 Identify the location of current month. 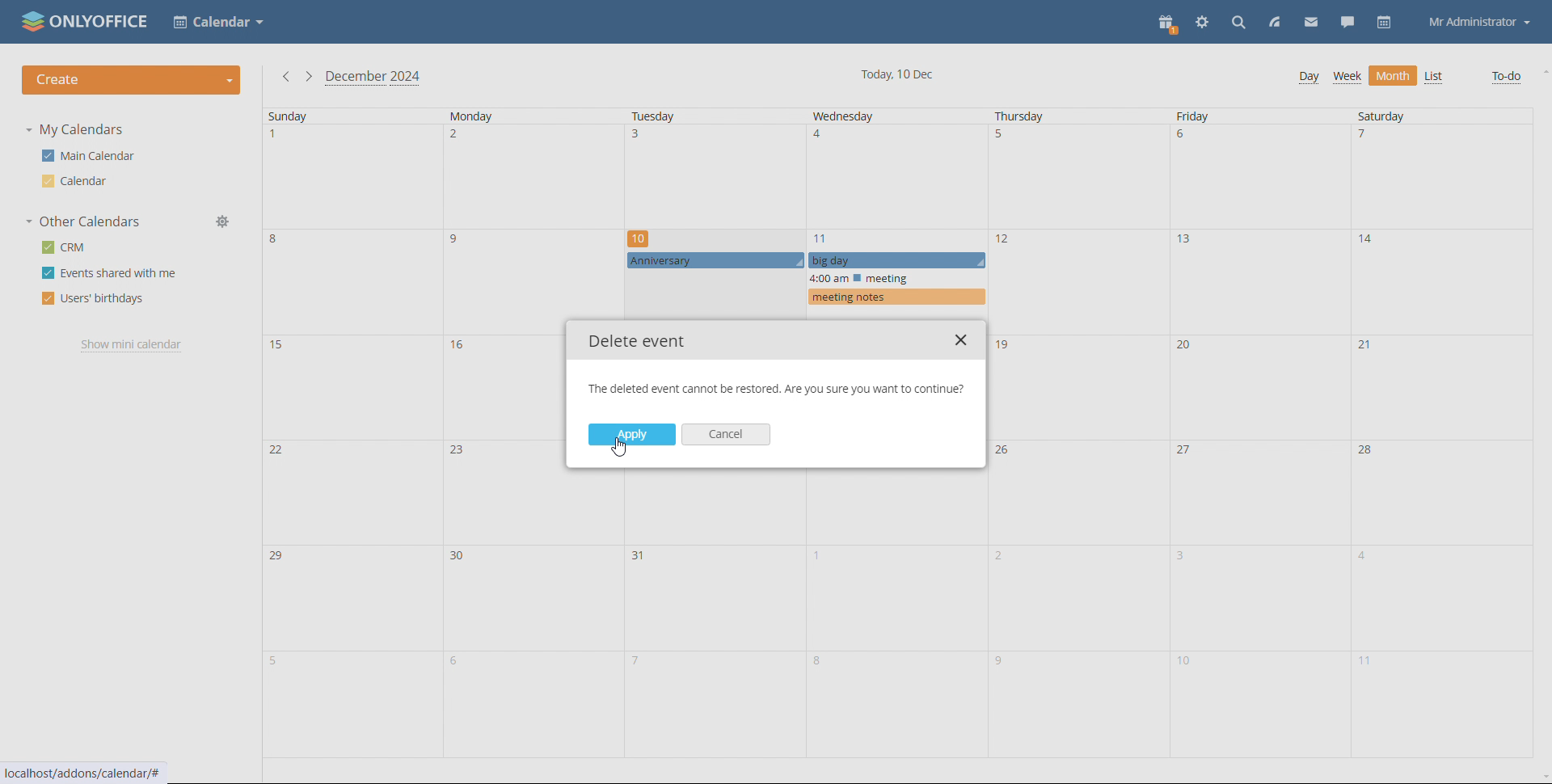
(373, 78).